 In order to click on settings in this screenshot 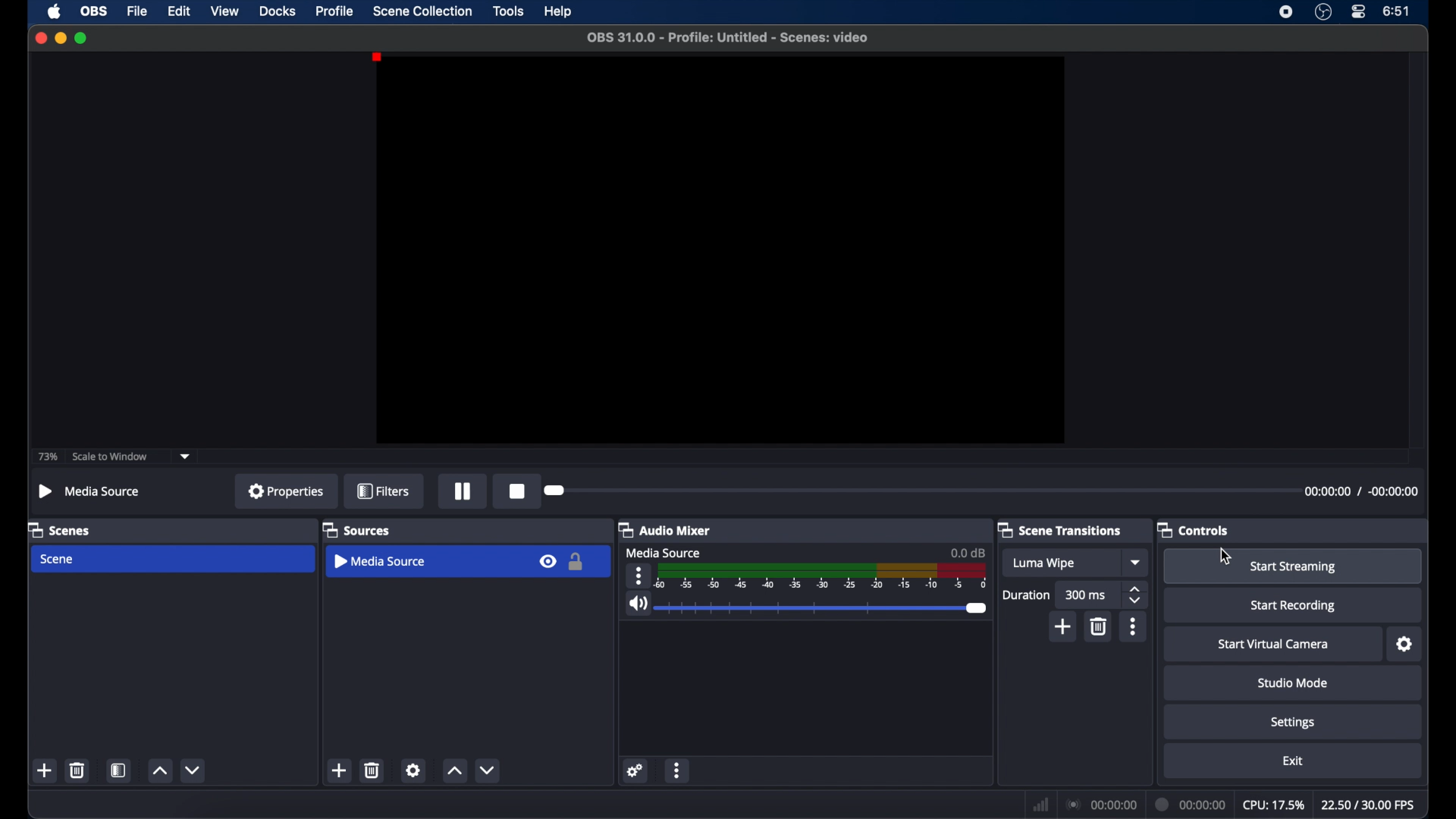, I will do `click(634, 772)`.